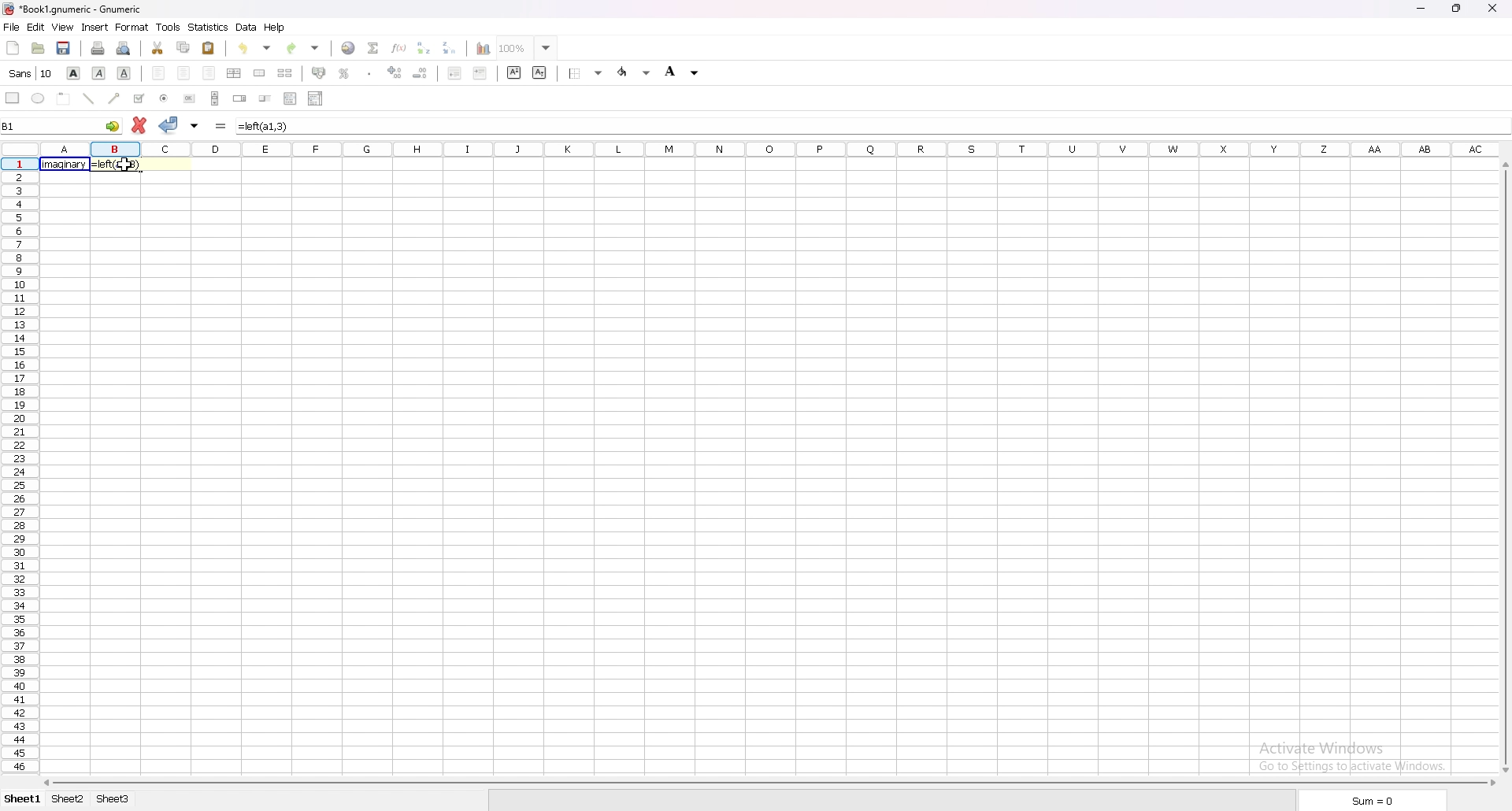 The height and width of the screenshot is (811, 1512). Describe the element at coordinates (37, 49) in the screenshot. I see `open` at that location.